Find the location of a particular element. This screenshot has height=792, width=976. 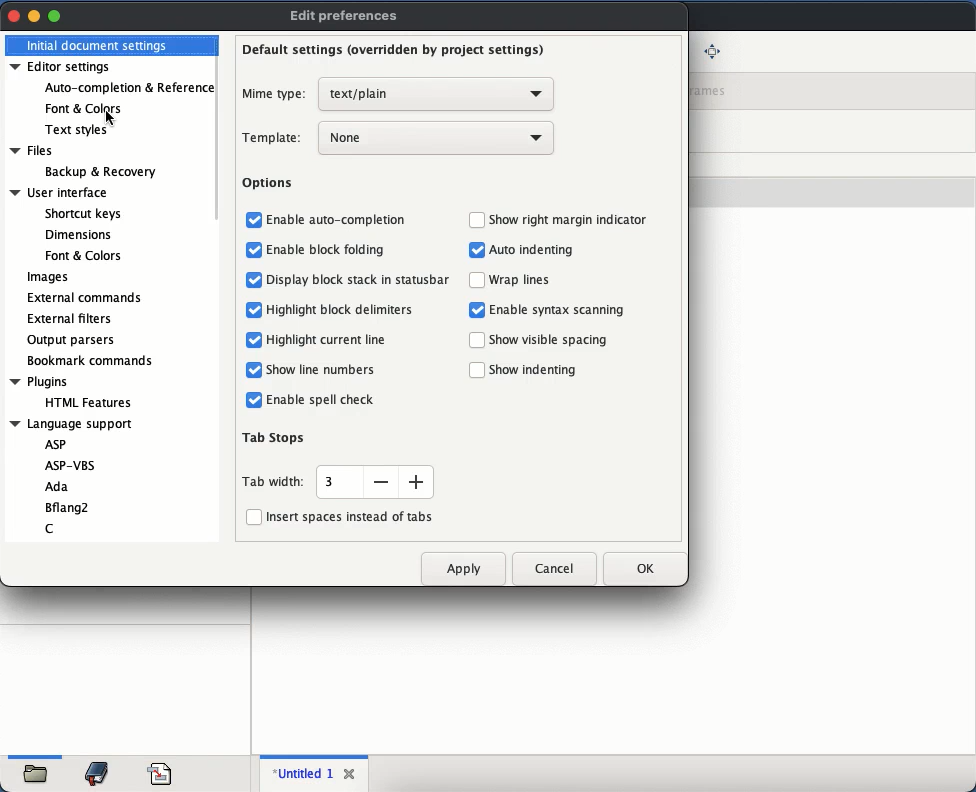

Wrap lines. is located at coordinates (523, 282).